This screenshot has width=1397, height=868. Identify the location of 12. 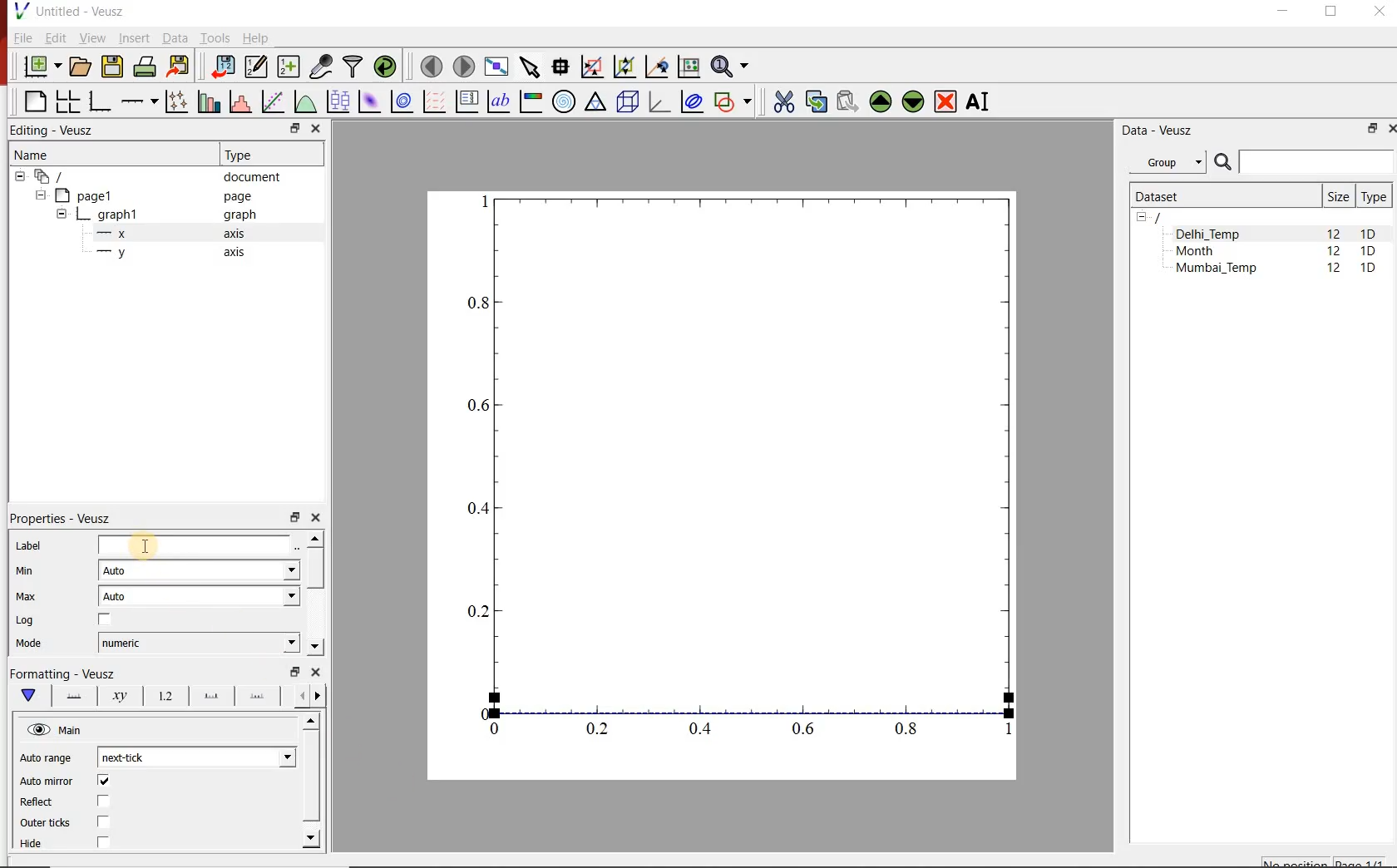
(1335, 270).